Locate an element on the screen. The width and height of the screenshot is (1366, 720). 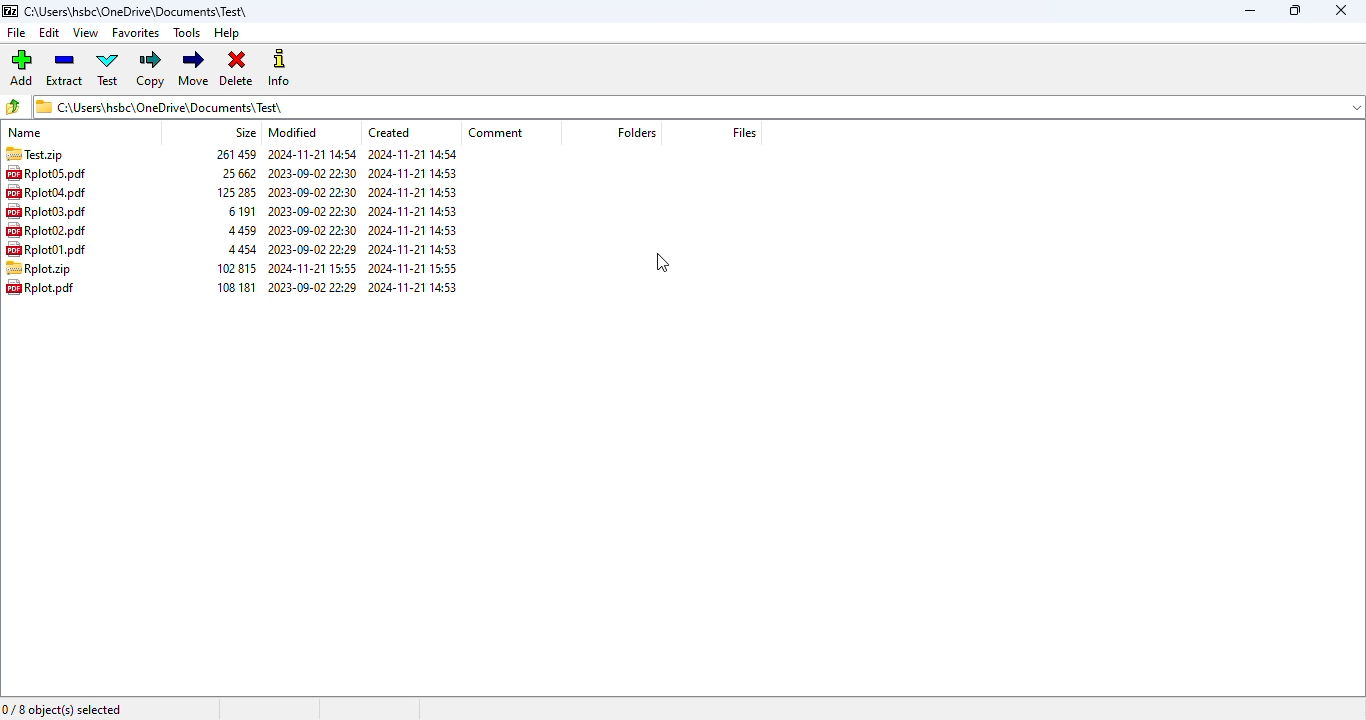
extract is located at coordinates (64, 67).